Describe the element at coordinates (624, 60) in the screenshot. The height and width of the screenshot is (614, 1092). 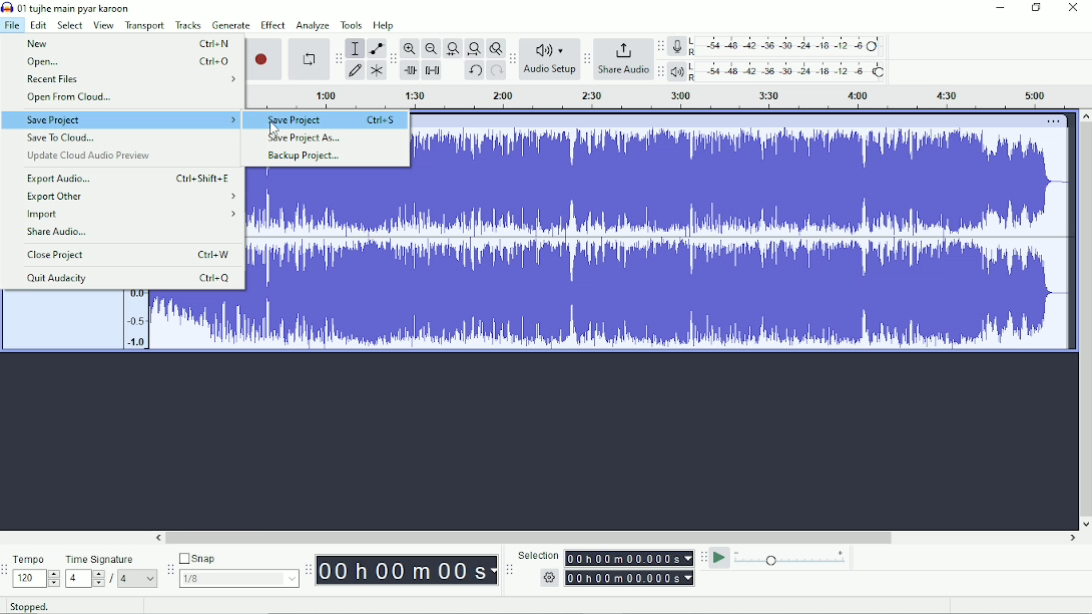
I see `Share Audio` at that location.